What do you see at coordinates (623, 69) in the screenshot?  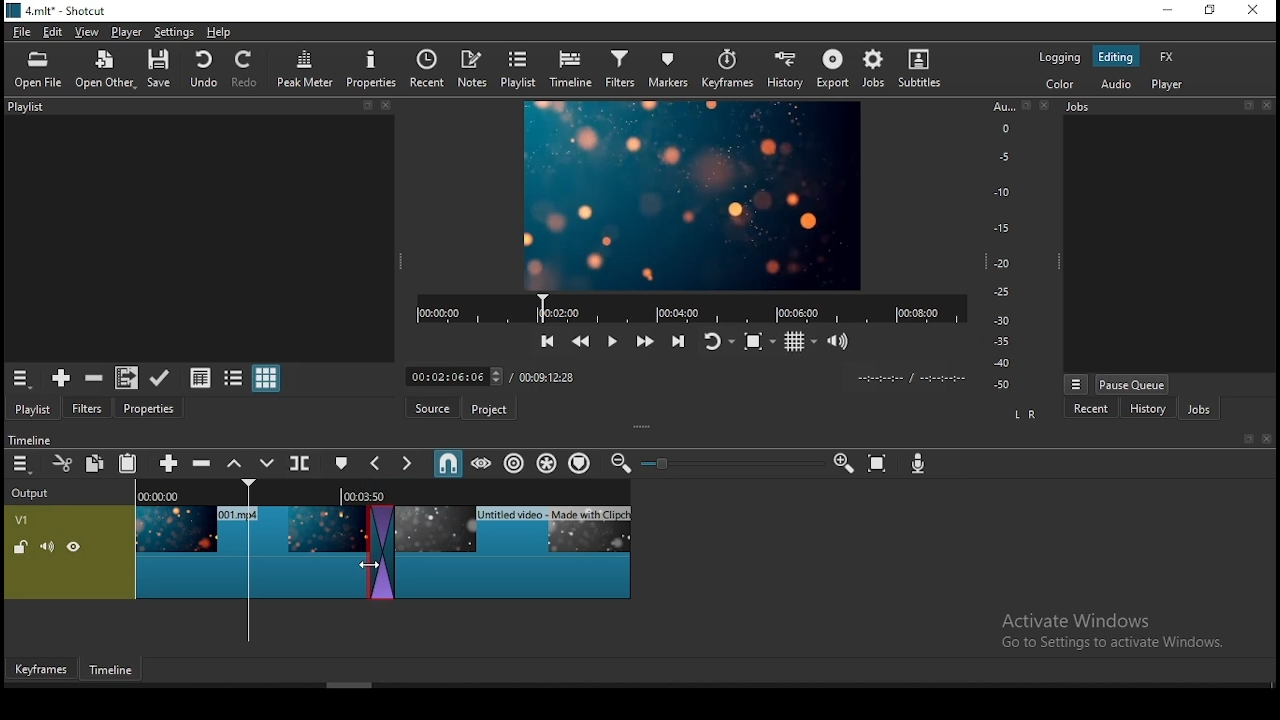 I see `filters` at bounding box center [623, 69].